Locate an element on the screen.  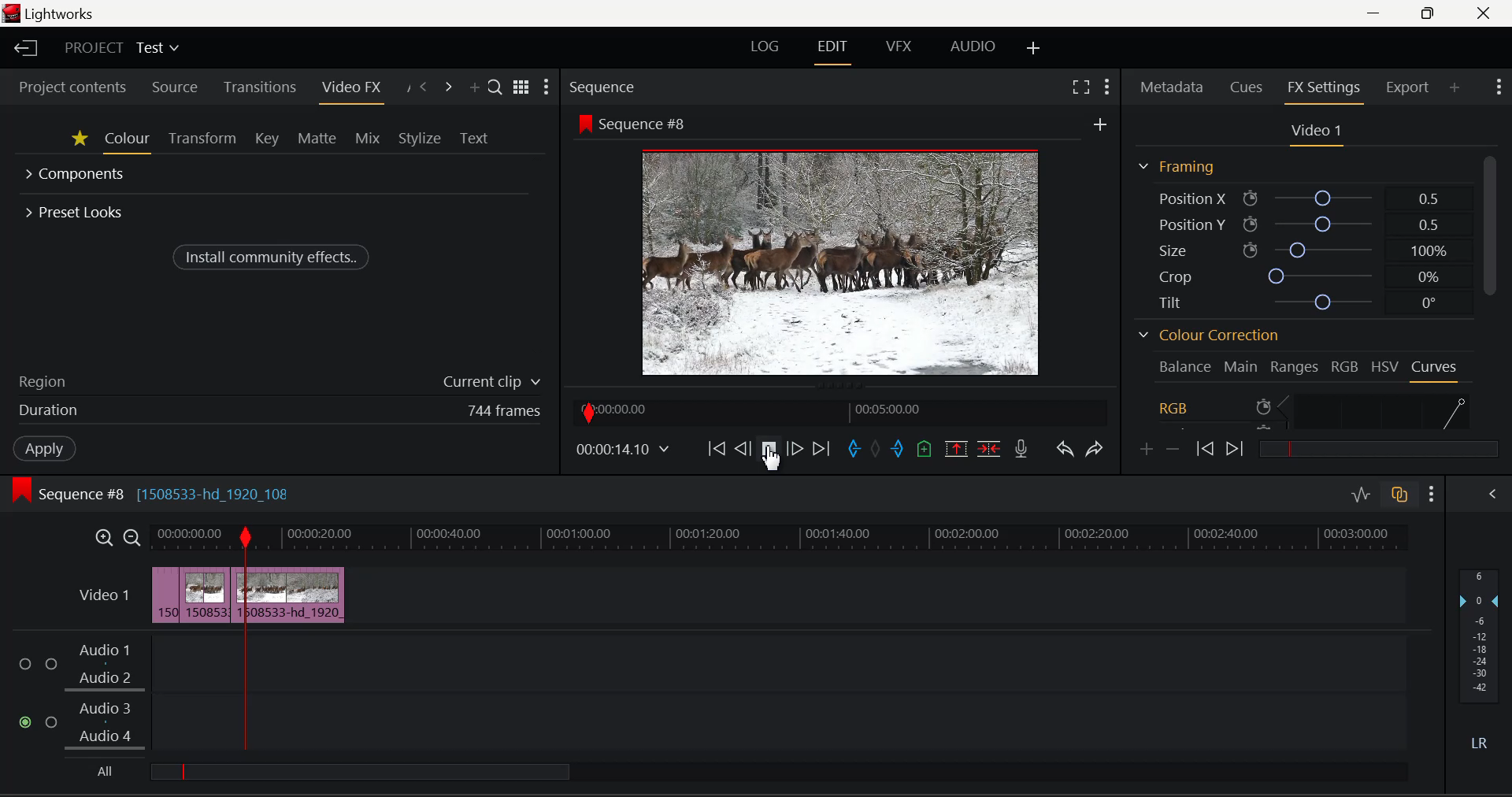
Sequence Preview Section is located at coordinates (603, 87).